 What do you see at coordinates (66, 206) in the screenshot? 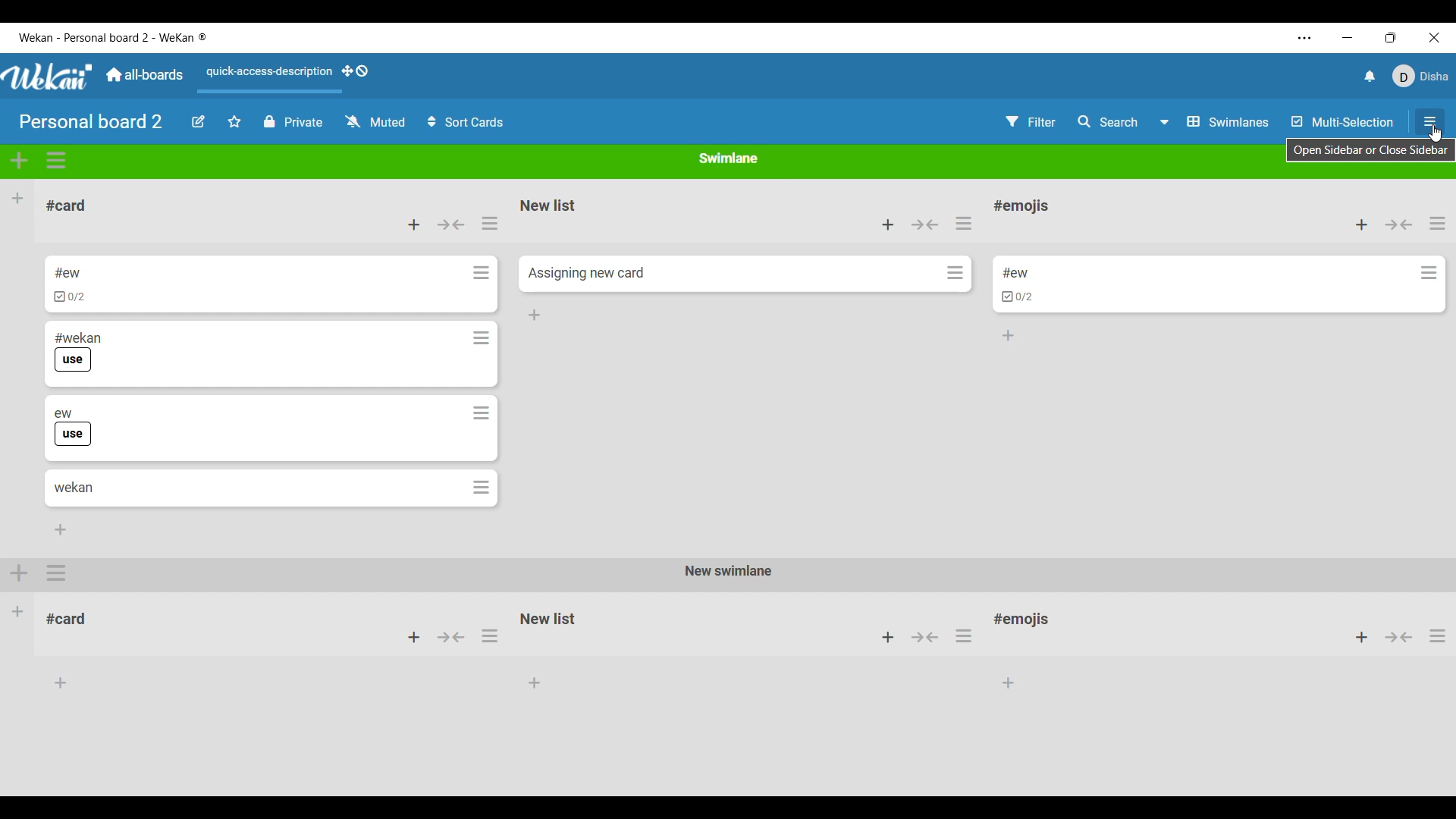
I see `List title` at bounding box center [66, 206].